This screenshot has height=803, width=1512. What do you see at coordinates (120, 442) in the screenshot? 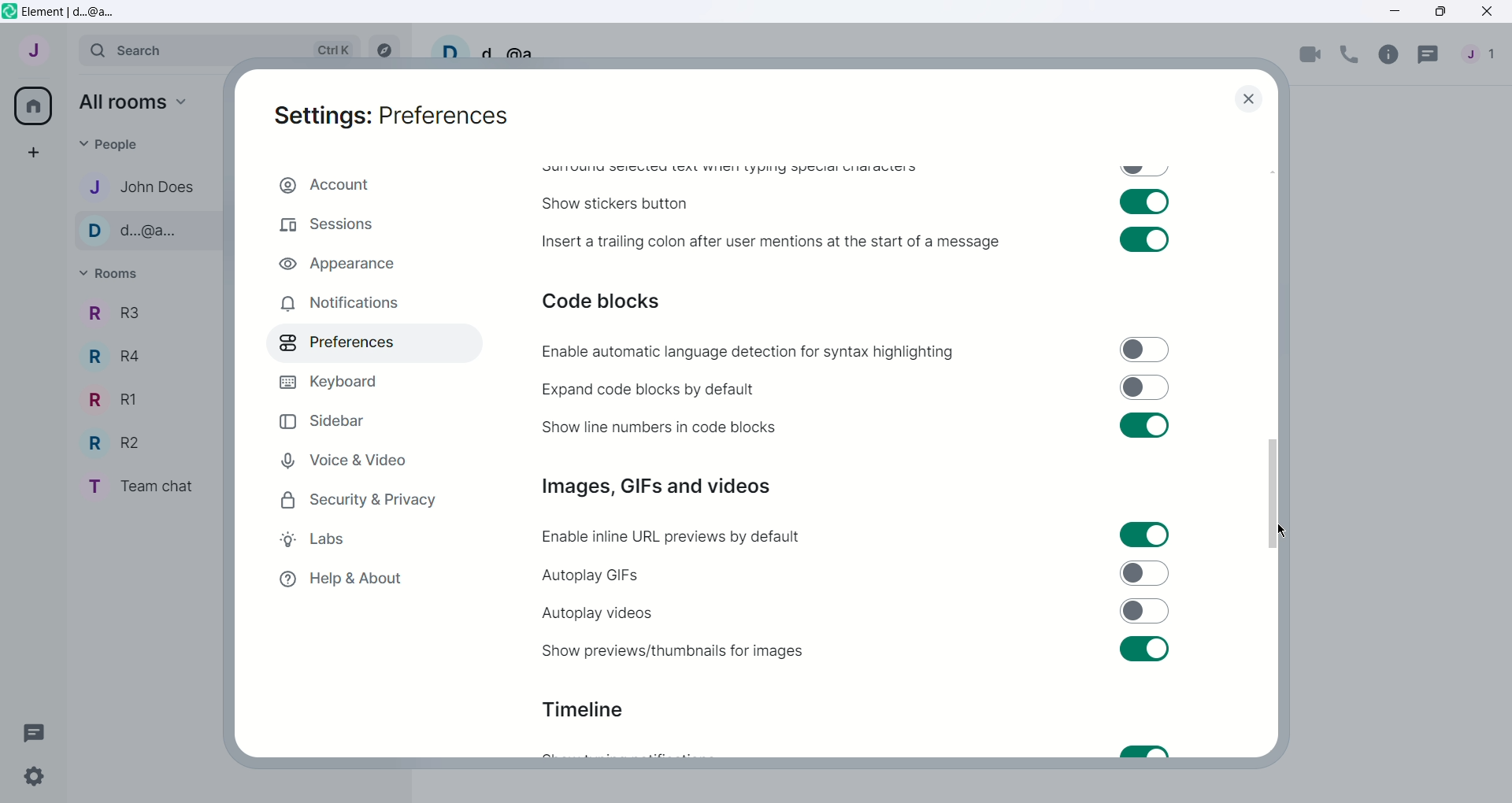
I see `R2 - Room Name` at bounding box center [120, 442].